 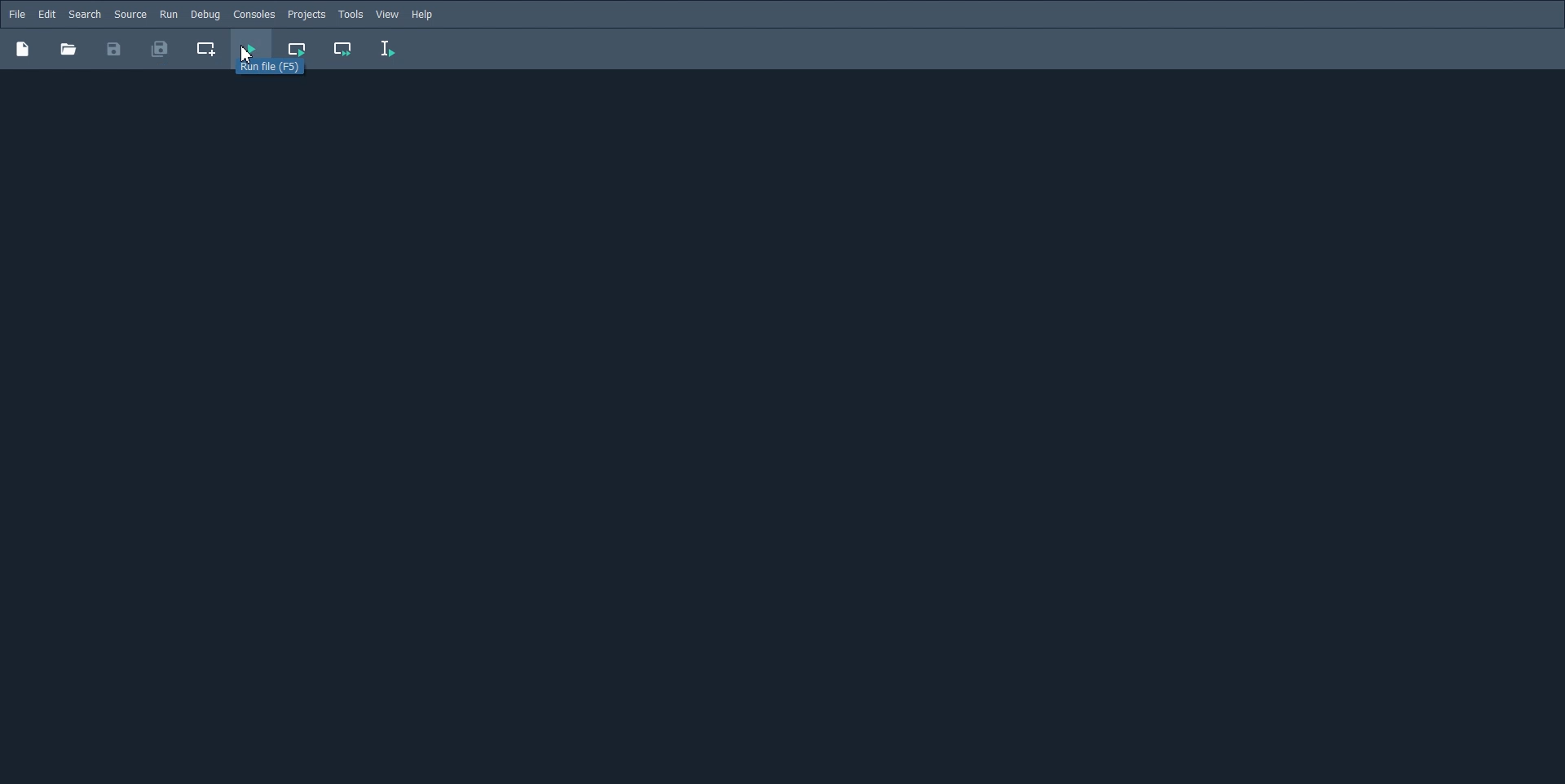 I want to click on Run File, so click(x=282, y=71).